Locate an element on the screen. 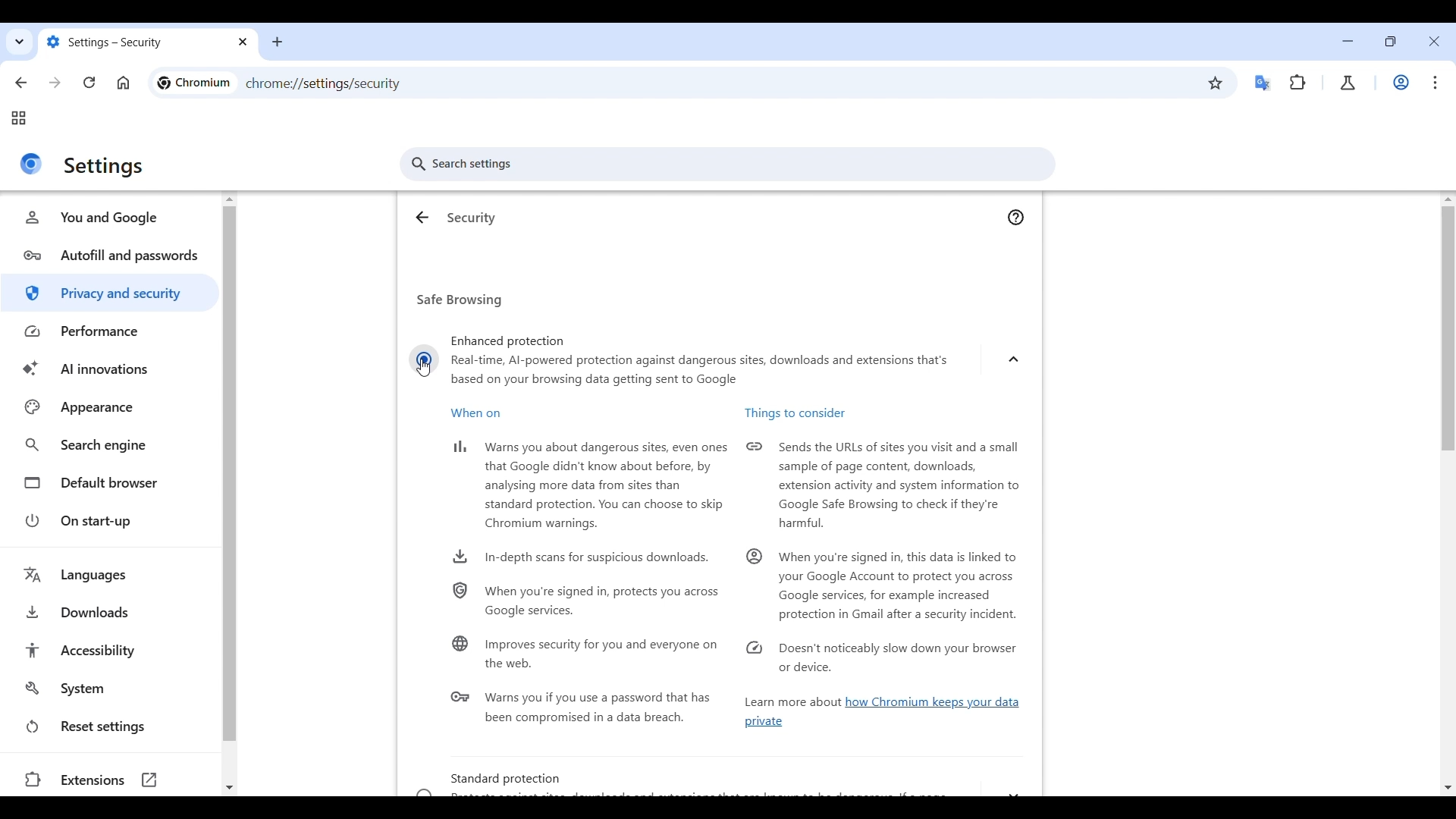 The image size is (1456, 819). Reset settings is located at coordinates (111, 726).